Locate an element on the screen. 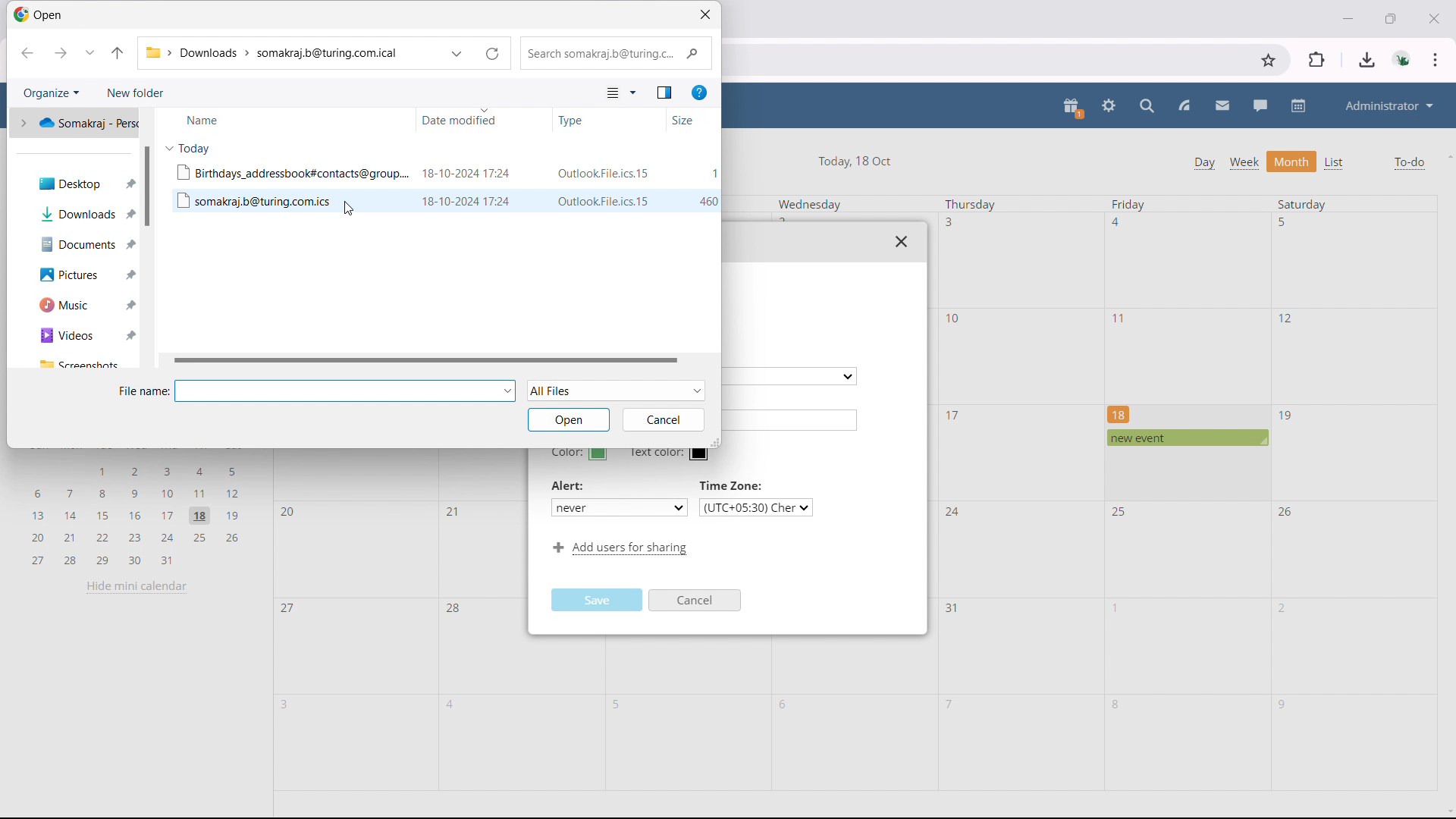 This screenshot has width=1456, height=819. horizontal scrollbar is located at coordinates (429, 360).